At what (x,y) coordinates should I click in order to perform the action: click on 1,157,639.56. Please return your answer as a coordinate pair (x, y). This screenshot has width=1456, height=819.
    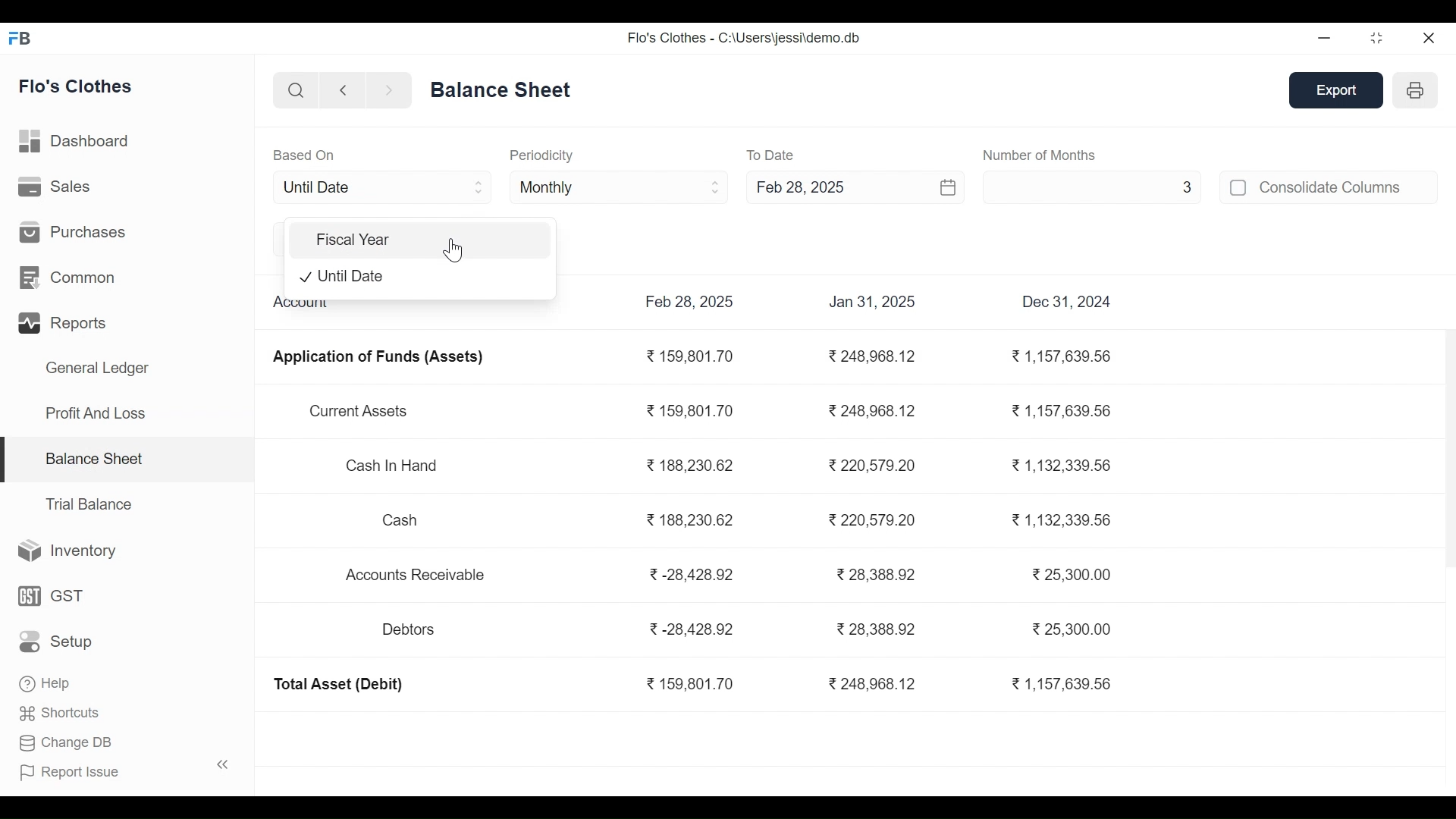
    Looking at the image, I should click on (1060, 684).